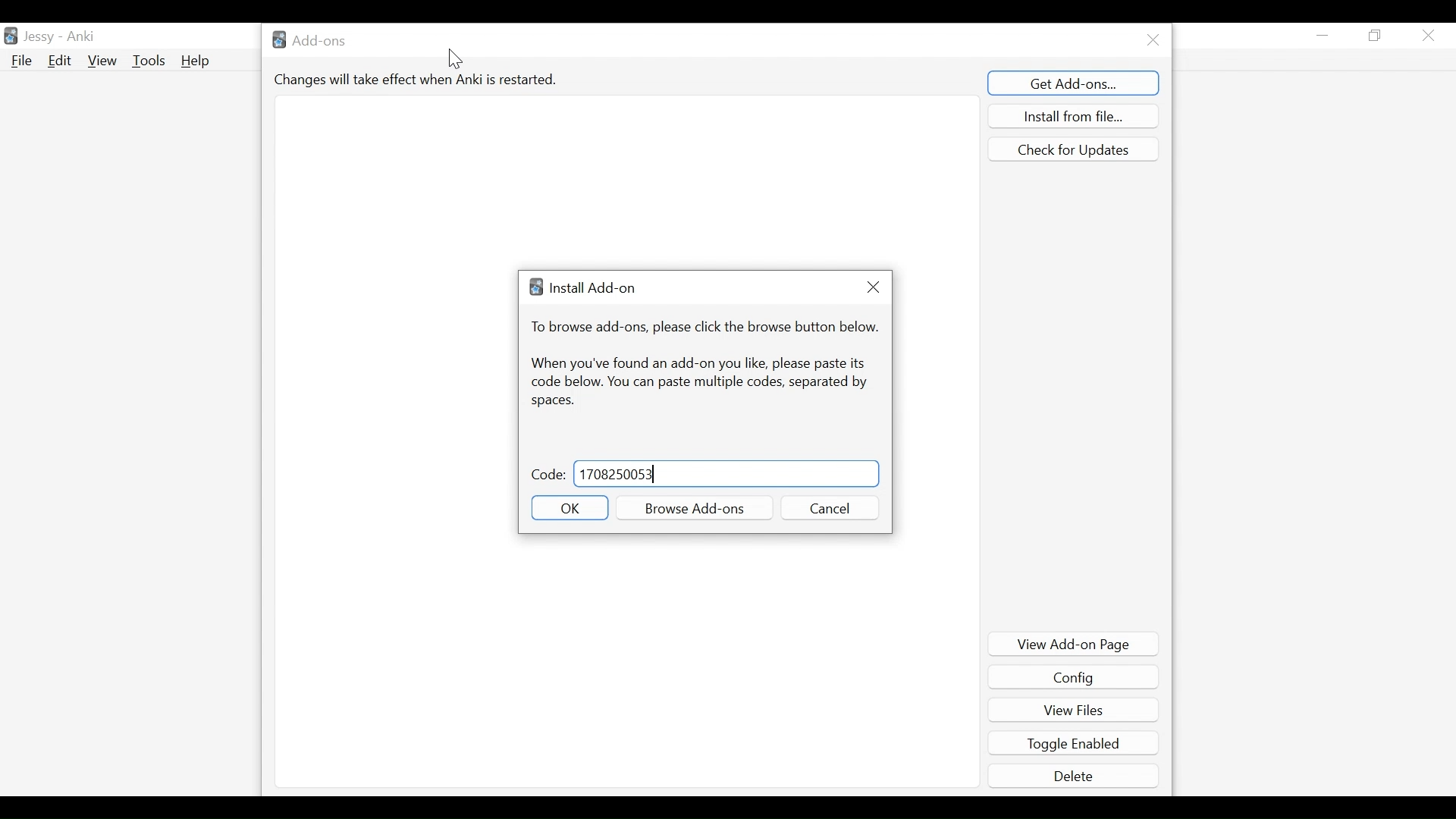 The width and height of the screenshot is (1456, 819). What do you see at coordinates (1075, 644) in the screenshot?
I see `View Add-on Page` at bounding box center [1075, 644].